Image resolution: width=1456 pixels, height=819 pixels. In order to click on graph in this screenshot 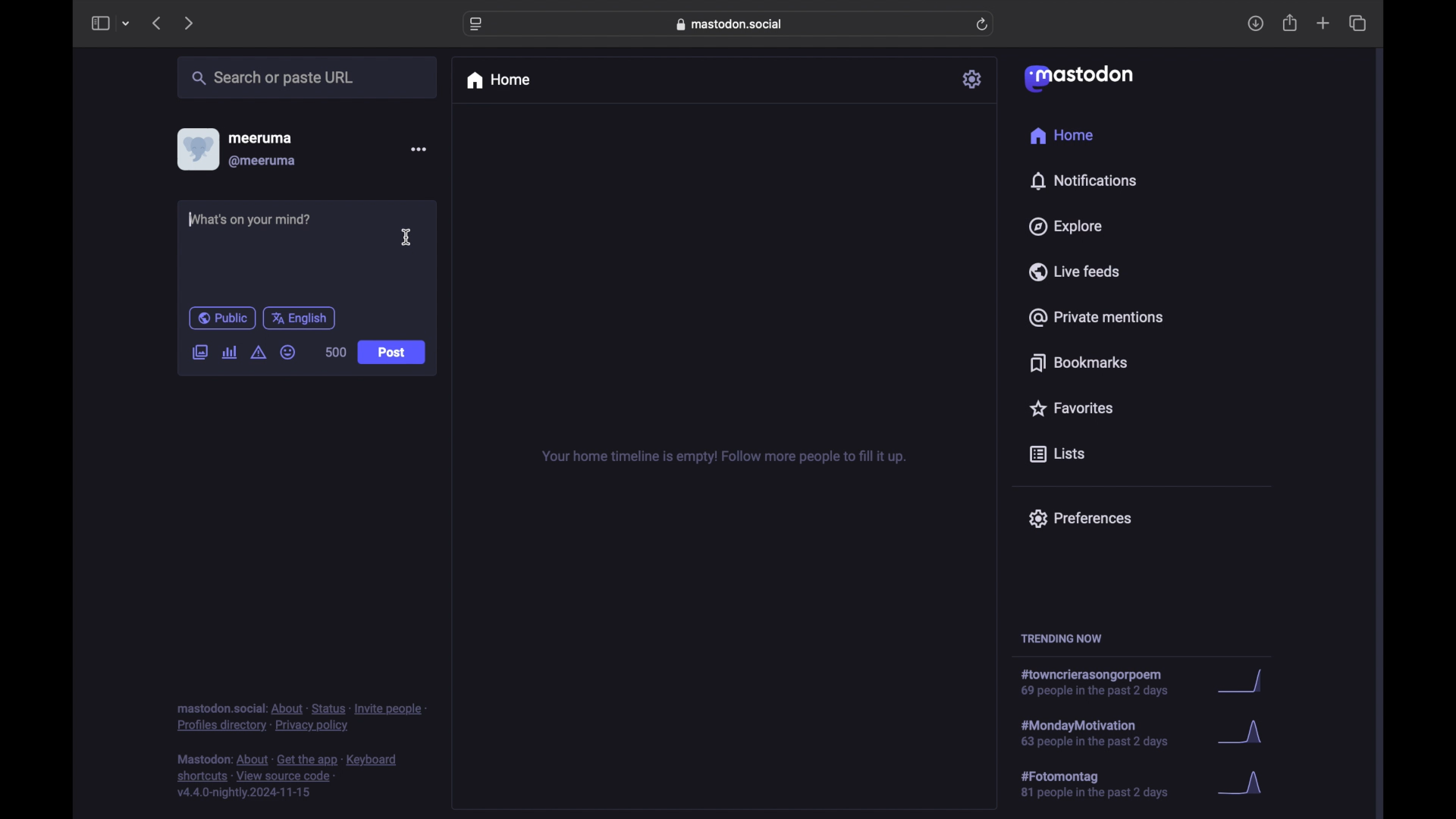, I will do `click(1240, 682)`.